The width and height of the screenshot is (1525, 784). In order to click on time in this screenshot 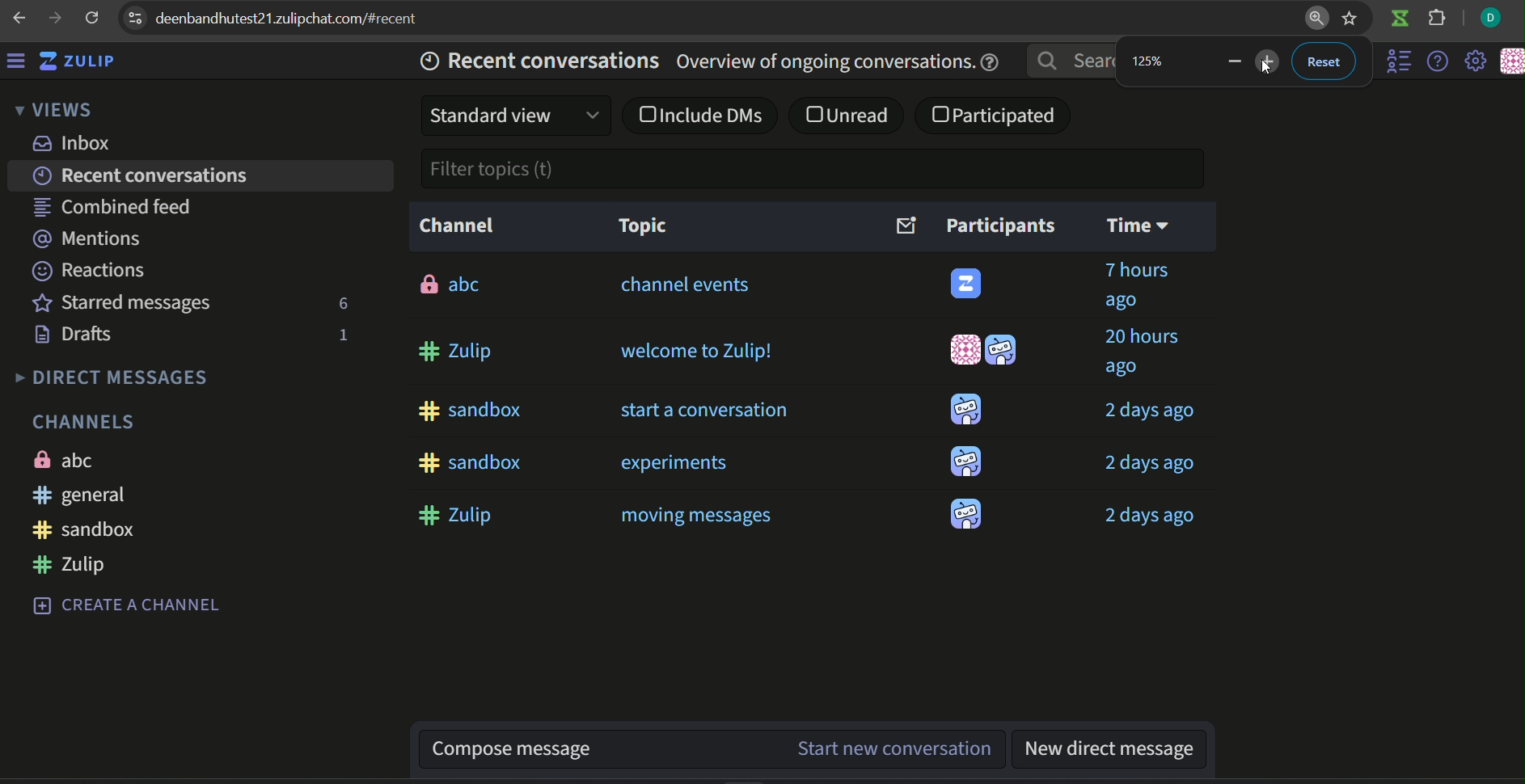, I will do `click(1139, 226)`.